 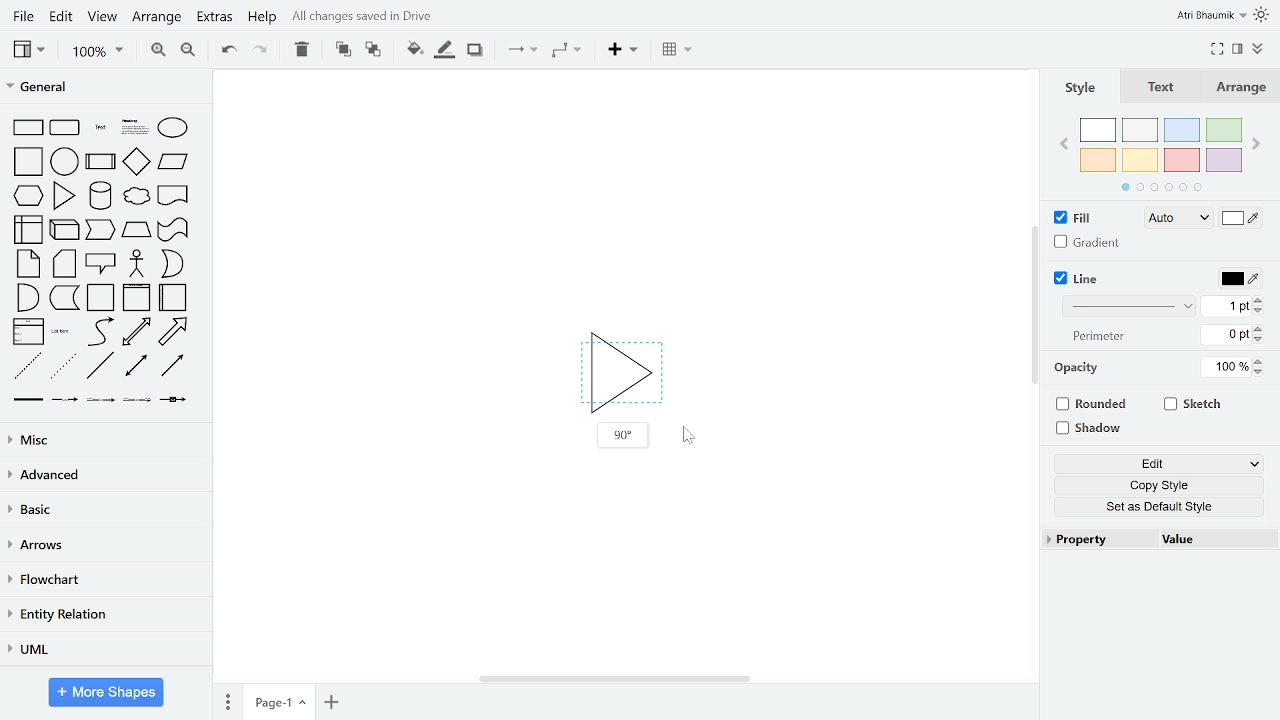 I want to click on actor, so click(x=137, y=264).